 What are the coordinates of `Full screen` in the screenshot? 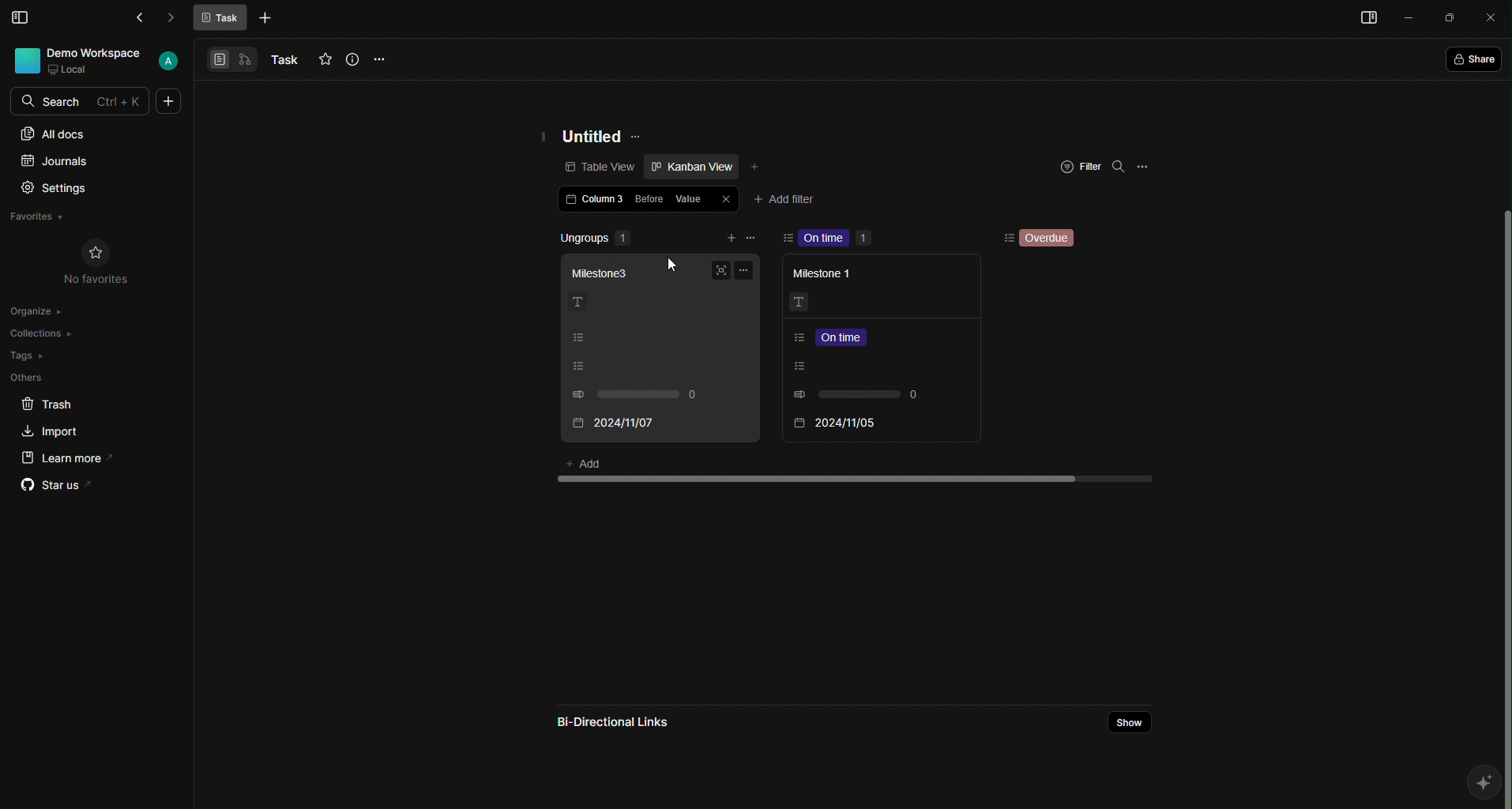 It's located at (722, 272).